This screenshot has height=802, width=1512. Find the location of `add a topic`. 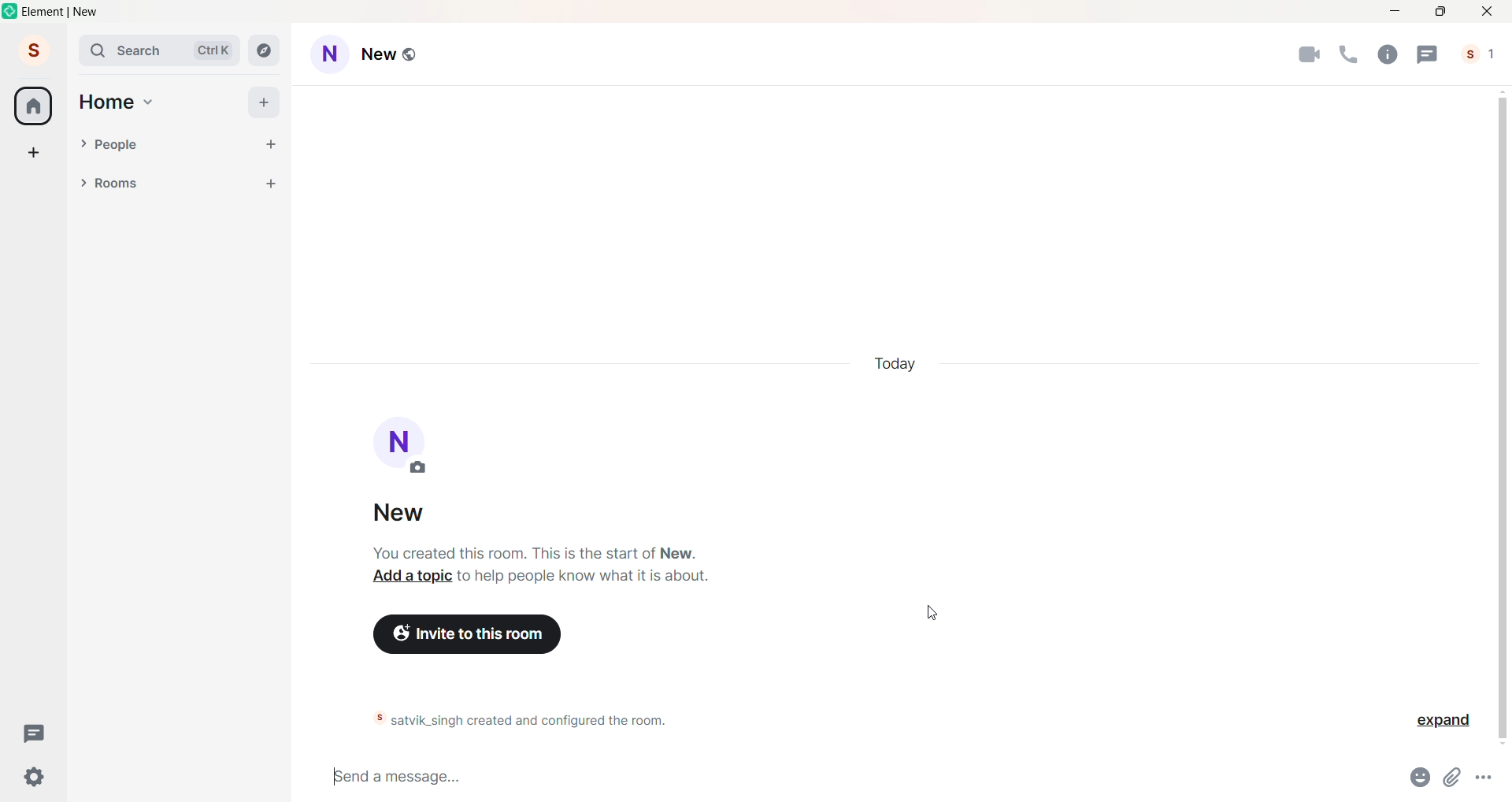

add a topic is located at coordinates (409, 577).